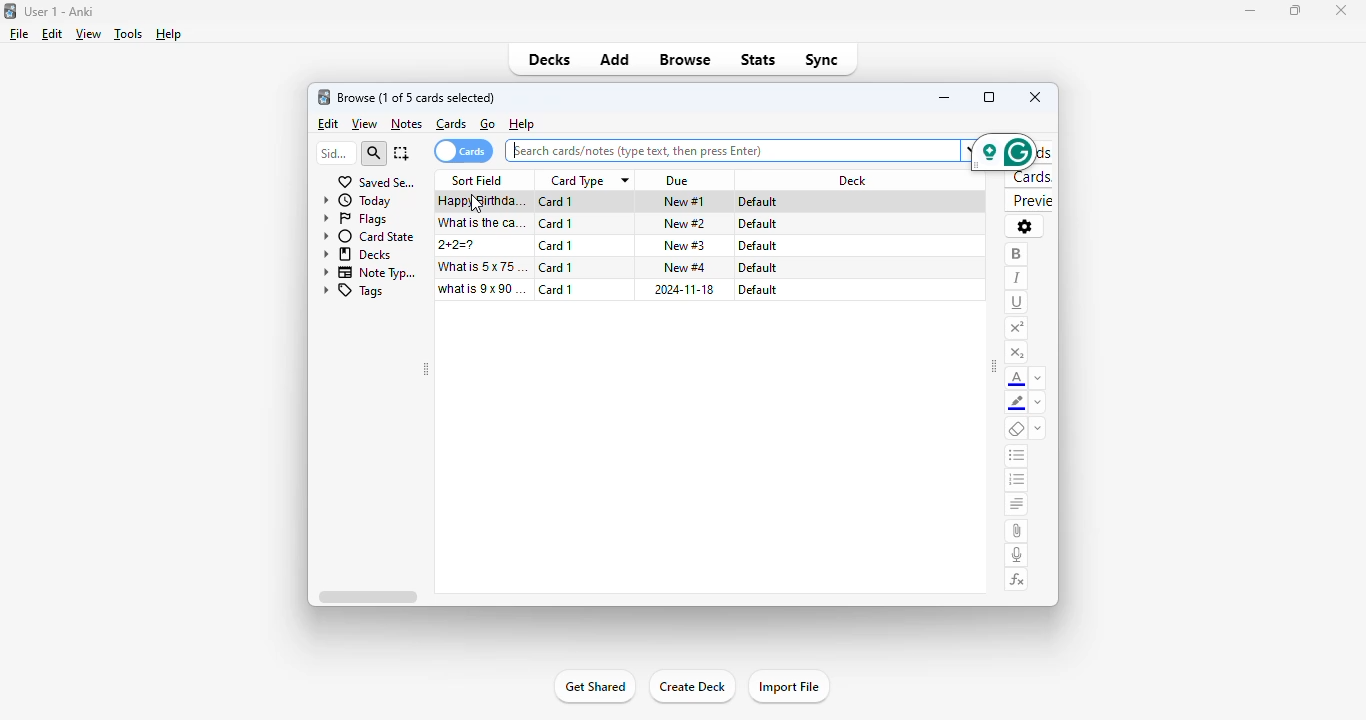 The height and width of the screenshot is (720, 1366). What do you see at coordinates (823, 60) in the screenshot?
I see `sync` at bounding box center [823, 60].